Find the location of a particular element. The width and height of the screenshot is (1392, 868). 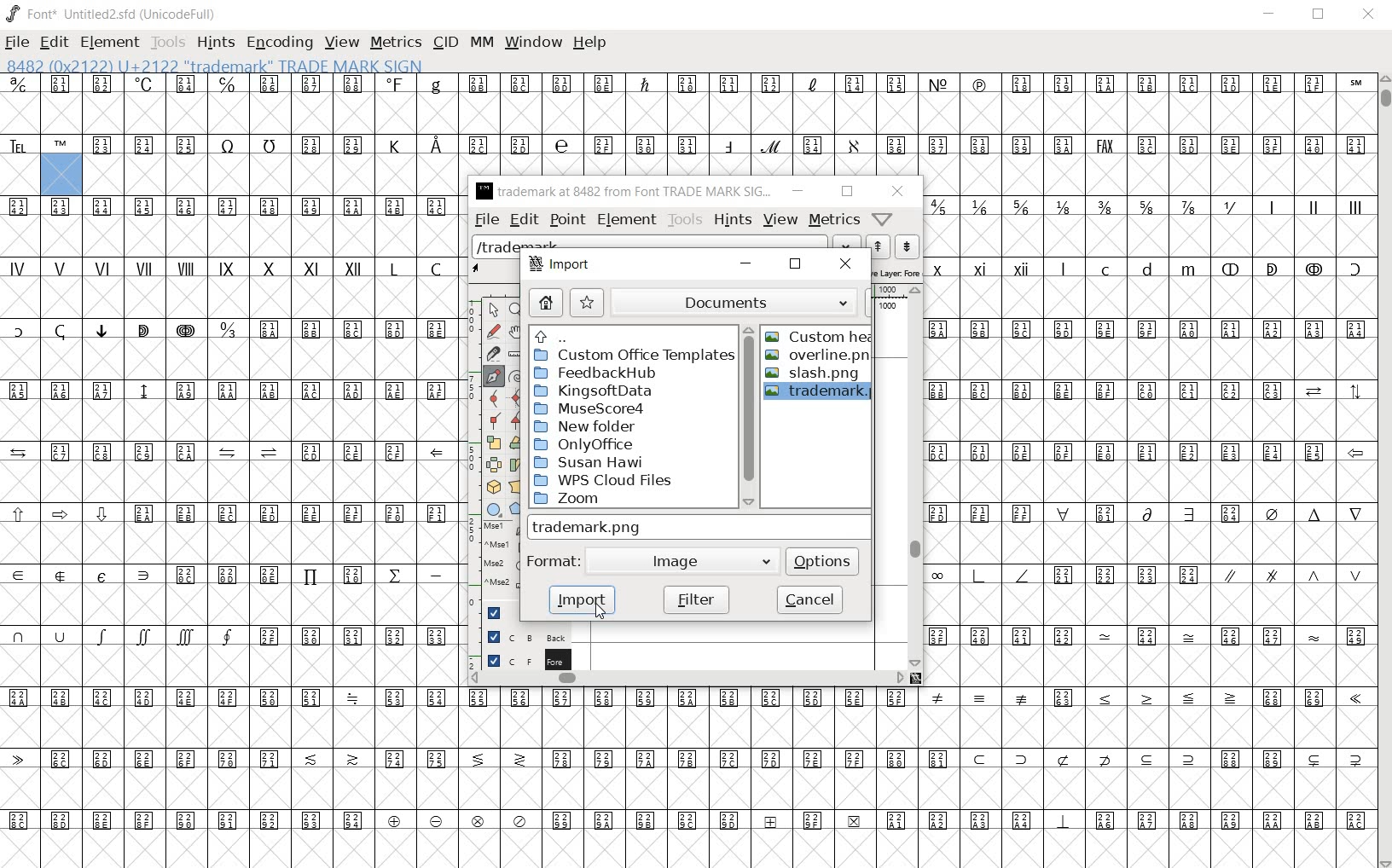

roman characters is located at coordinates (1314, 225).